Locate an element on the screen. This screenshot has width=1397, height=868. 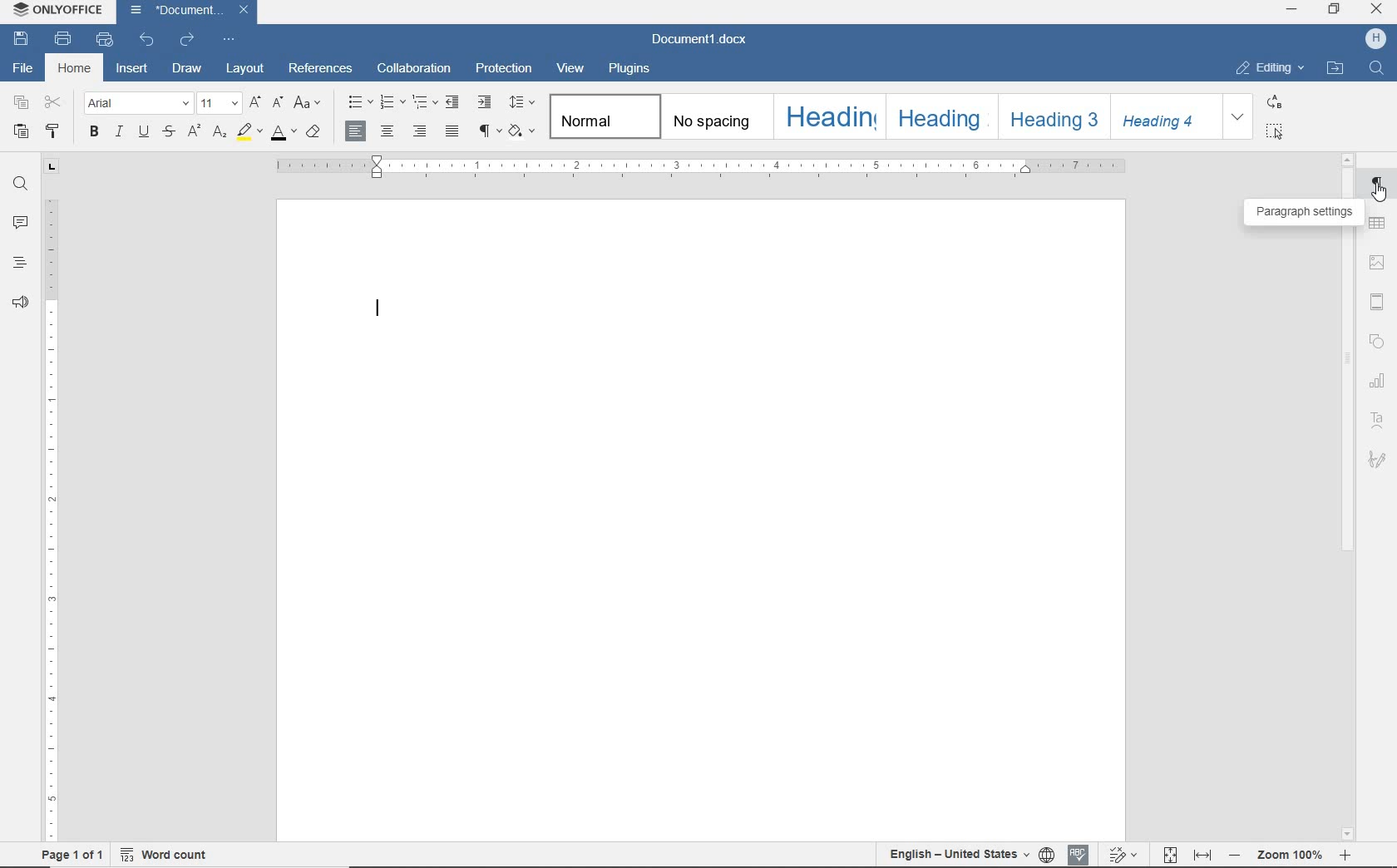
align right is located at coordinates (420, 132).